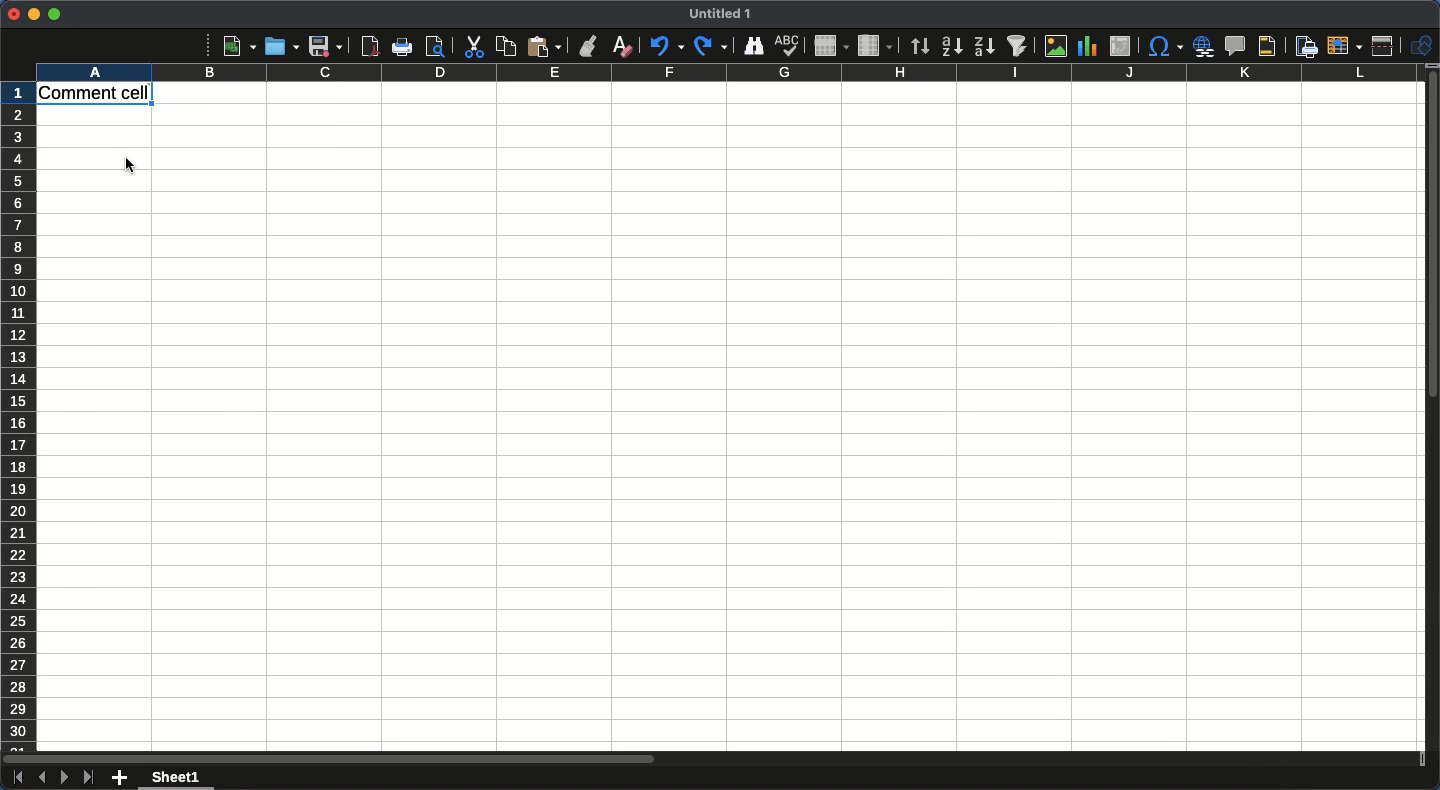 The image size is (1440, 790). I want to click on Undo, so click(666, 46).